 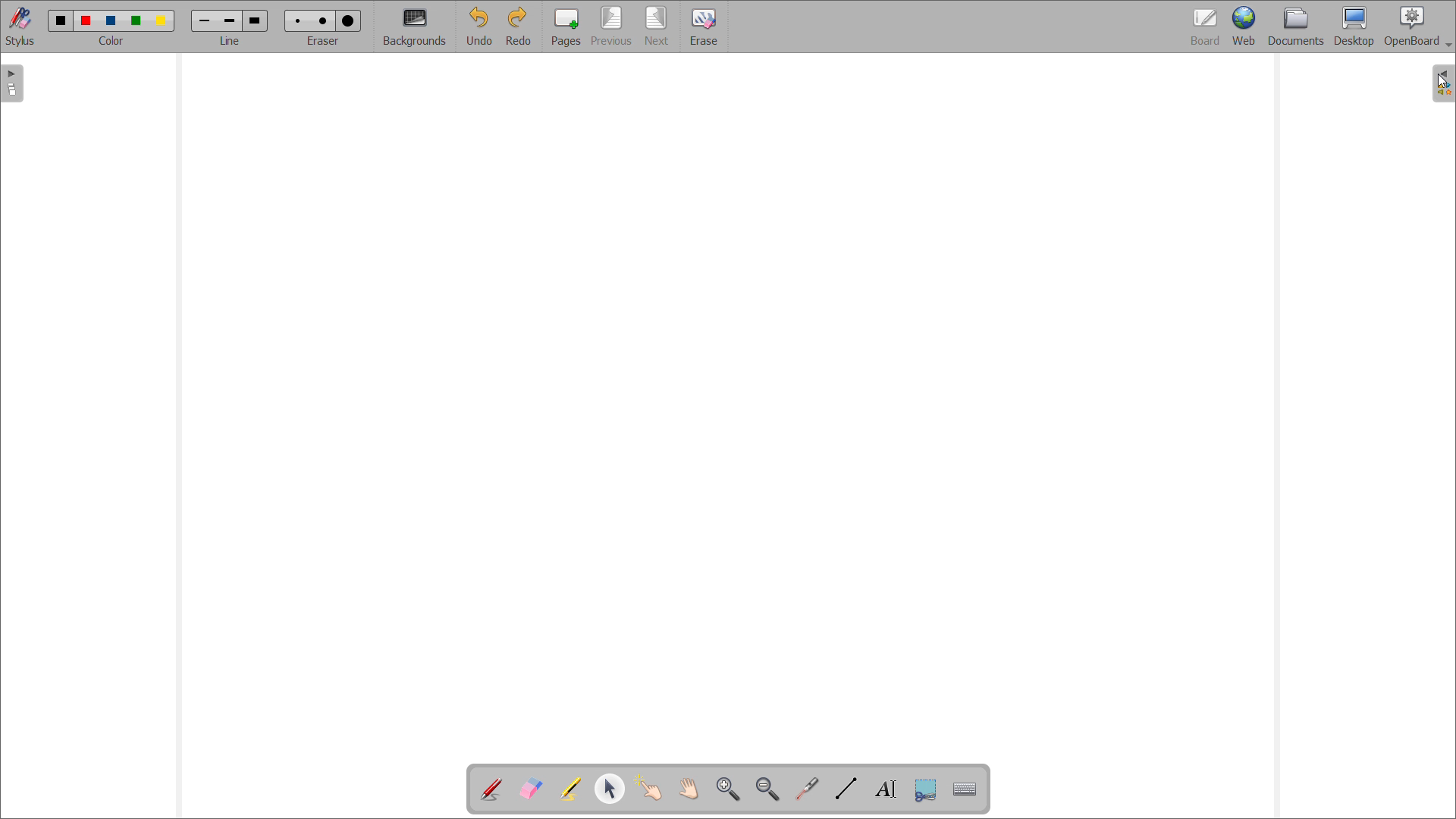 I want to click on stylus, so click(x=20, y=26).